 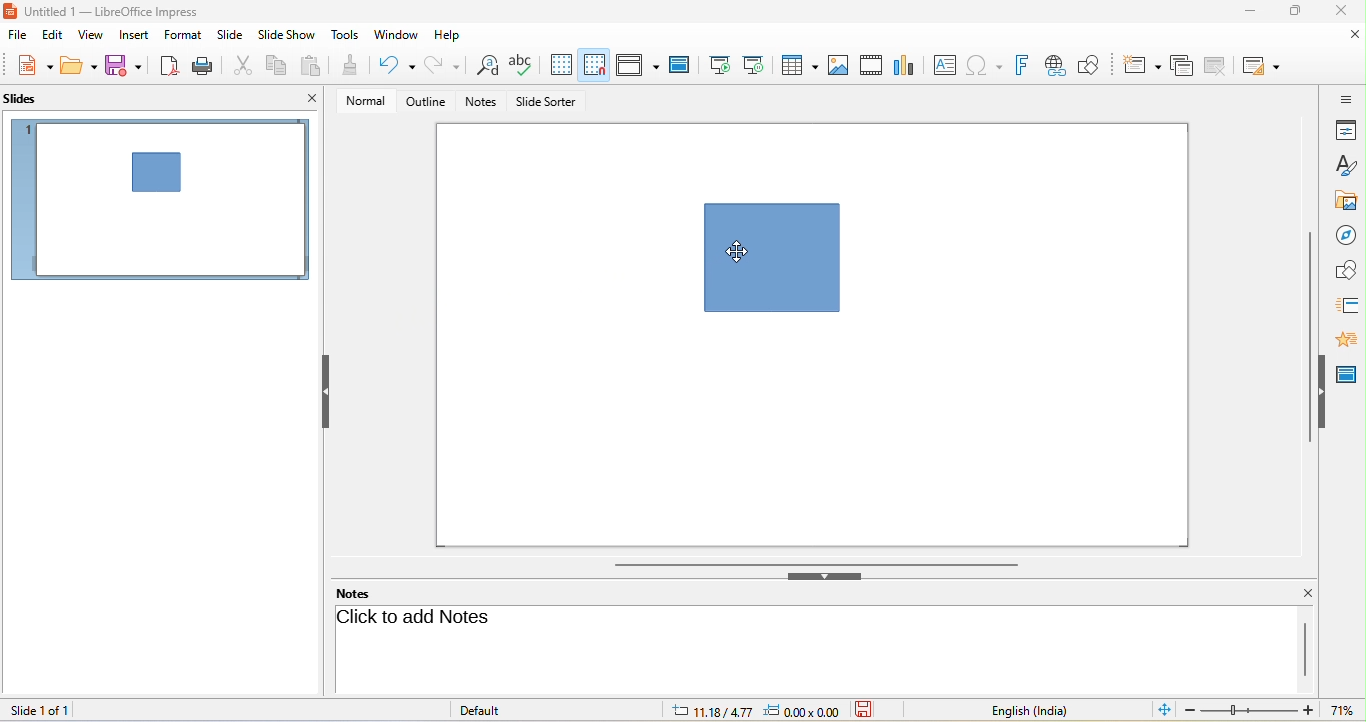 I want to click on slide sorter, so click(x=549, y=102).